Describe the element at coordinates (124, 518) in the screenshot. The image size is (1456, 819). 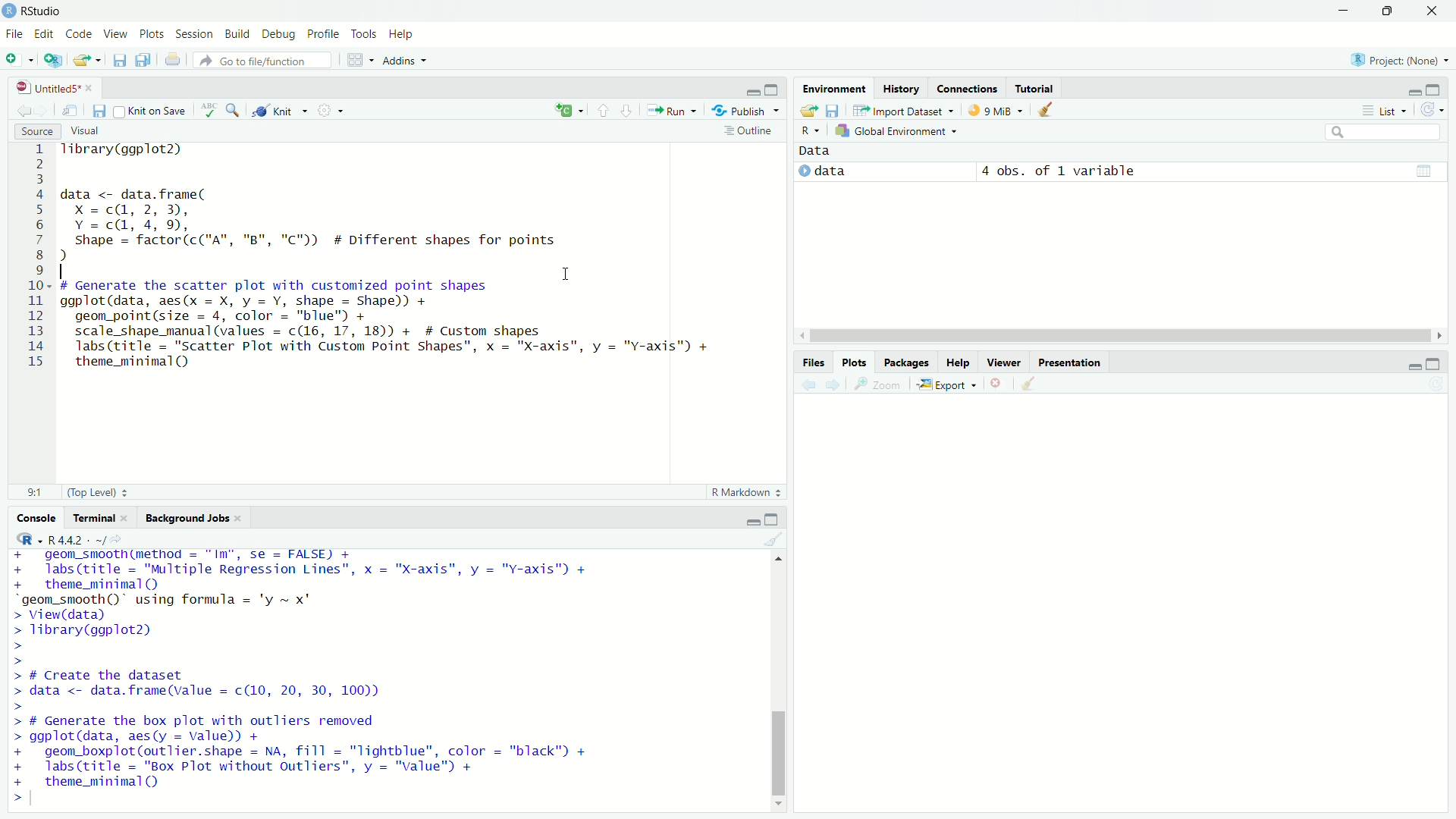
I see `close` at that location.